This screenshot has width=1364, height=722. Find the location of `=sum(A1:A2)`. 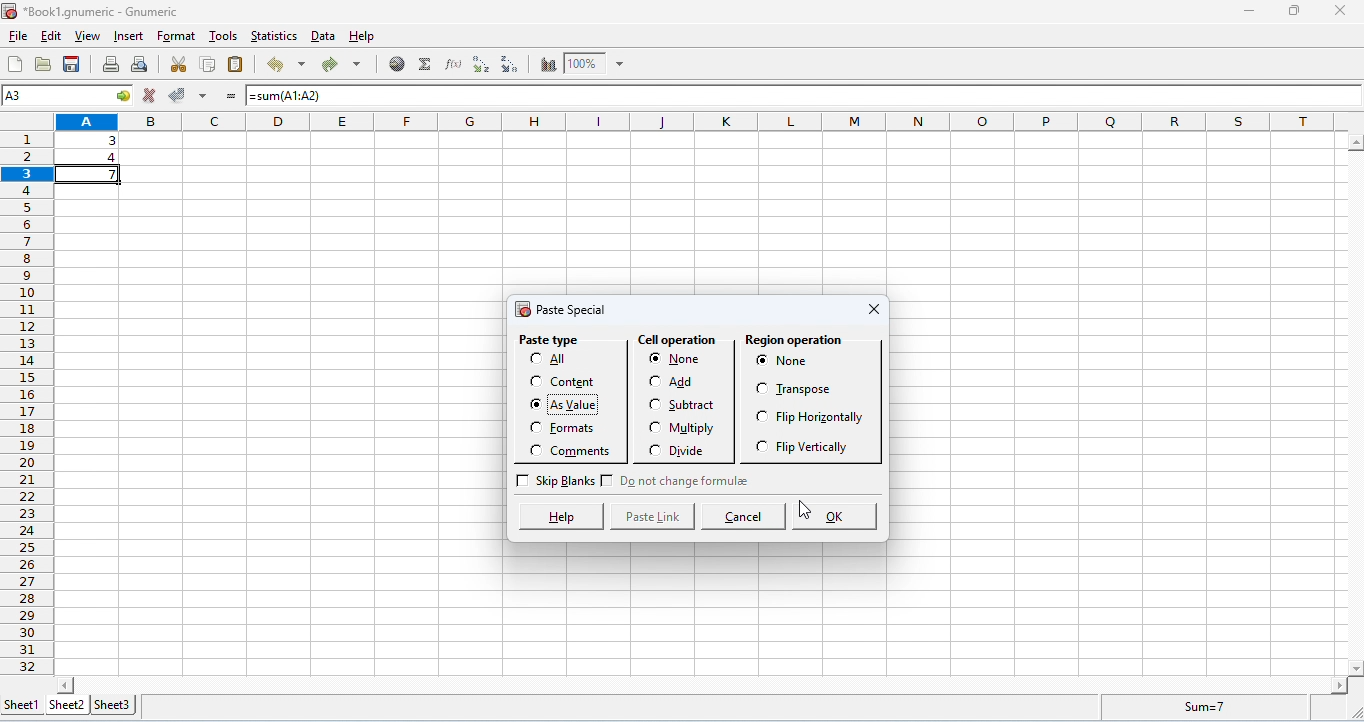

=sum(A1:A2) is located at coordinates (308, 96).